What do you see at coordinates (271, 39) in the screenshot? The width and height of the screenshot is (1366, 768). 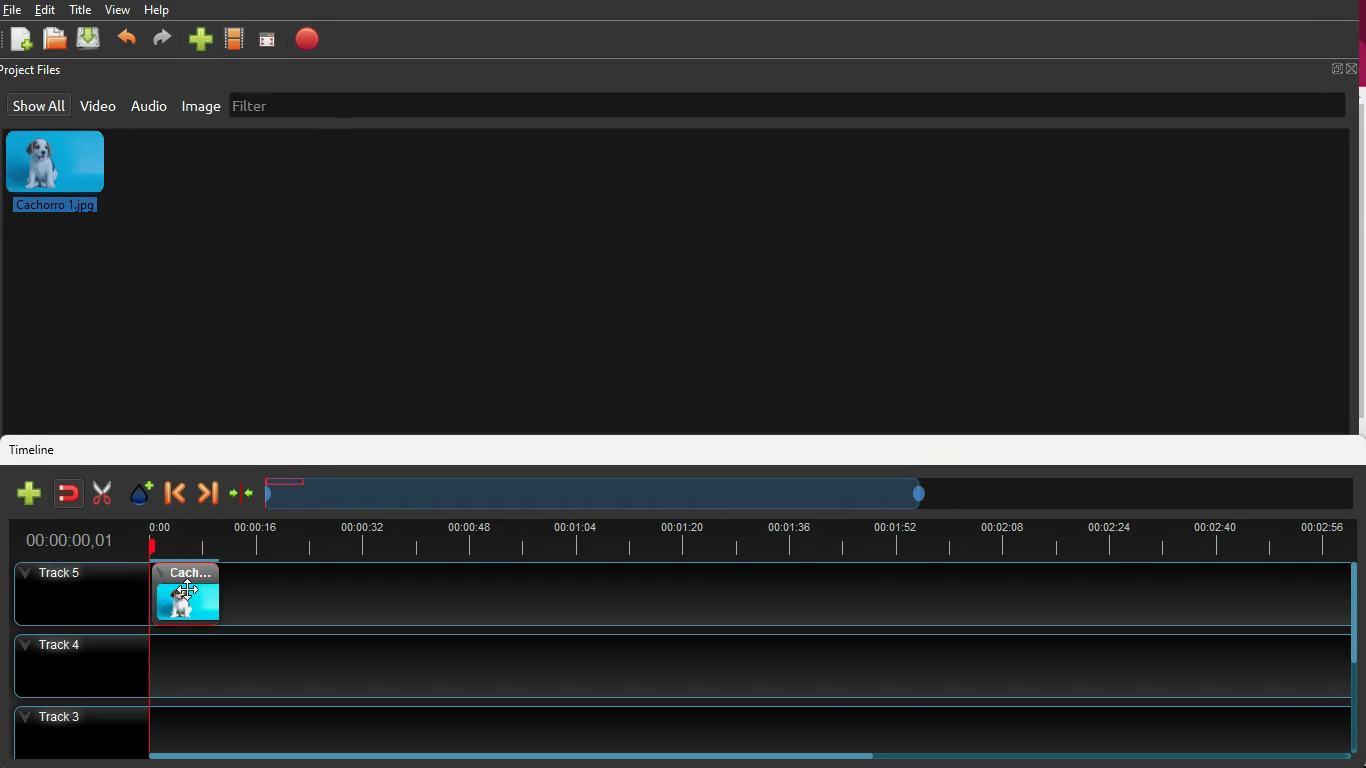 I see `screen` at bounding box center [271, 39].